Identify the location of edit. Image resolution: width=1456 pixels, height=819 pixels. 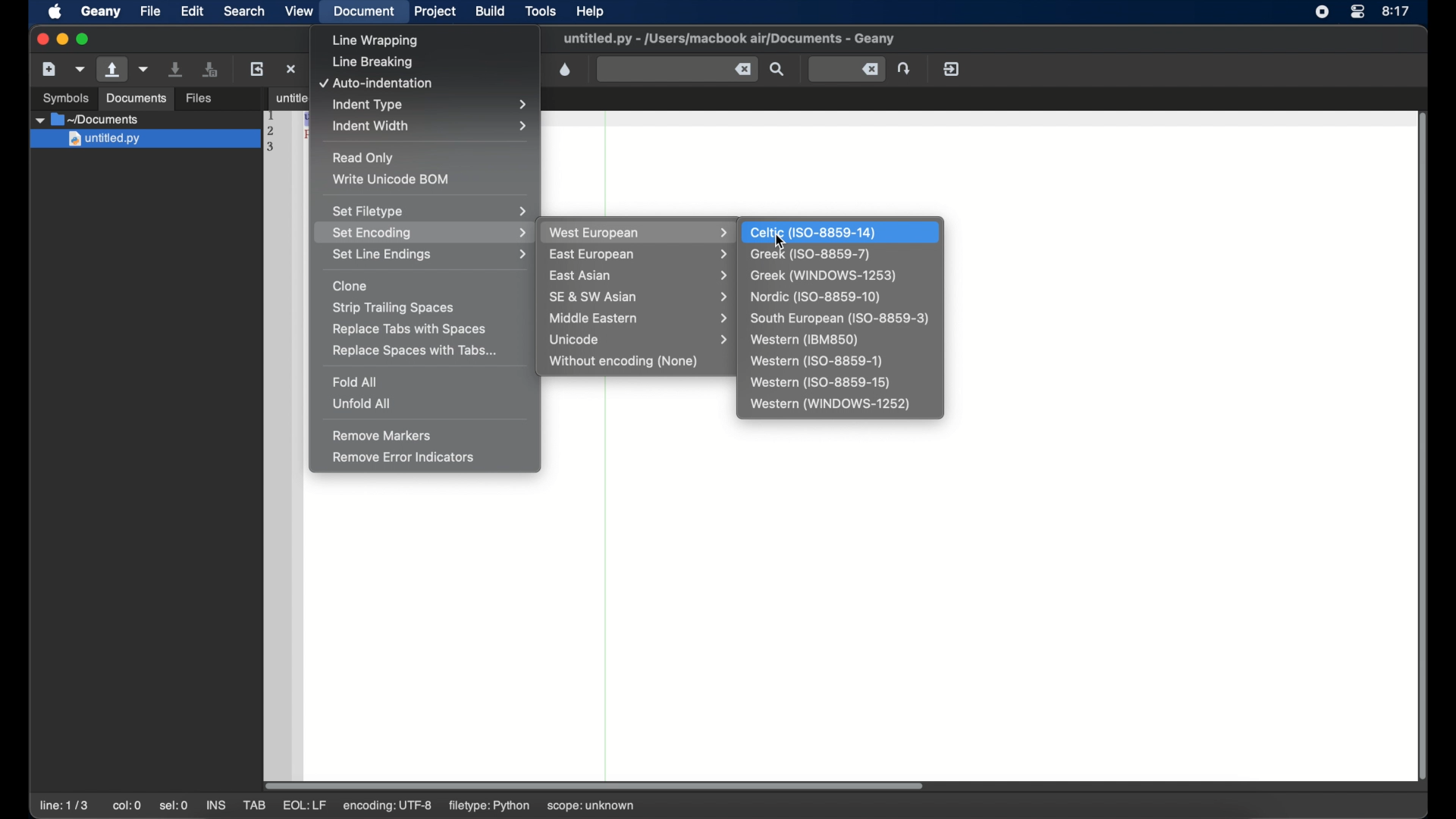
(191, 11).